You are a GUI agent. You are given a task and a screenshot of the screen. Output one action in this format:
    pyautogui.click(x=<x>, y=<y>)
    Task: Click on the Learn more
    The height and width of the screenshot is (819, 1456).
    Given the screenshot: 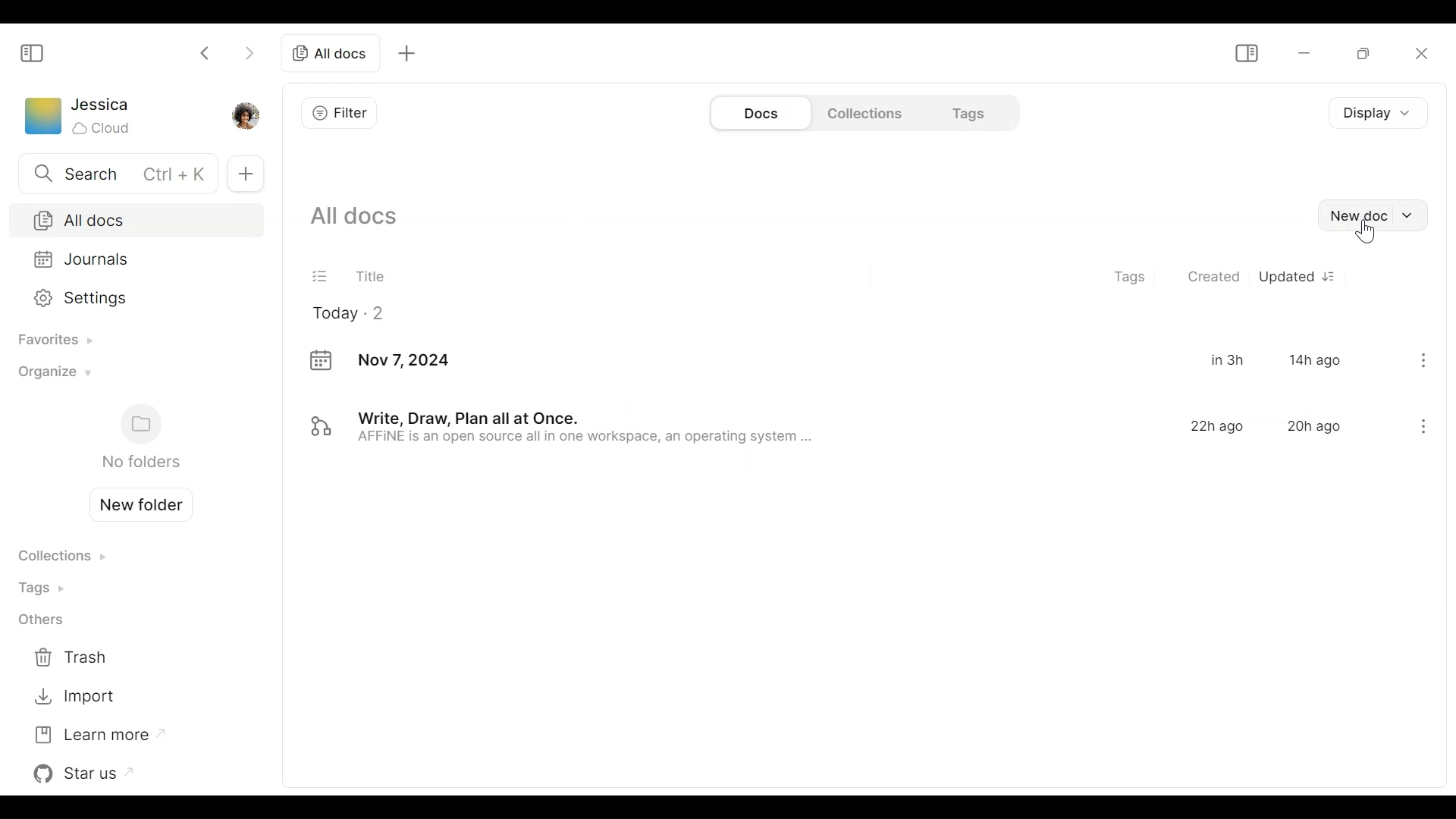 What is the action you would take?
    pyautogui.click(x=98, y=733)
    